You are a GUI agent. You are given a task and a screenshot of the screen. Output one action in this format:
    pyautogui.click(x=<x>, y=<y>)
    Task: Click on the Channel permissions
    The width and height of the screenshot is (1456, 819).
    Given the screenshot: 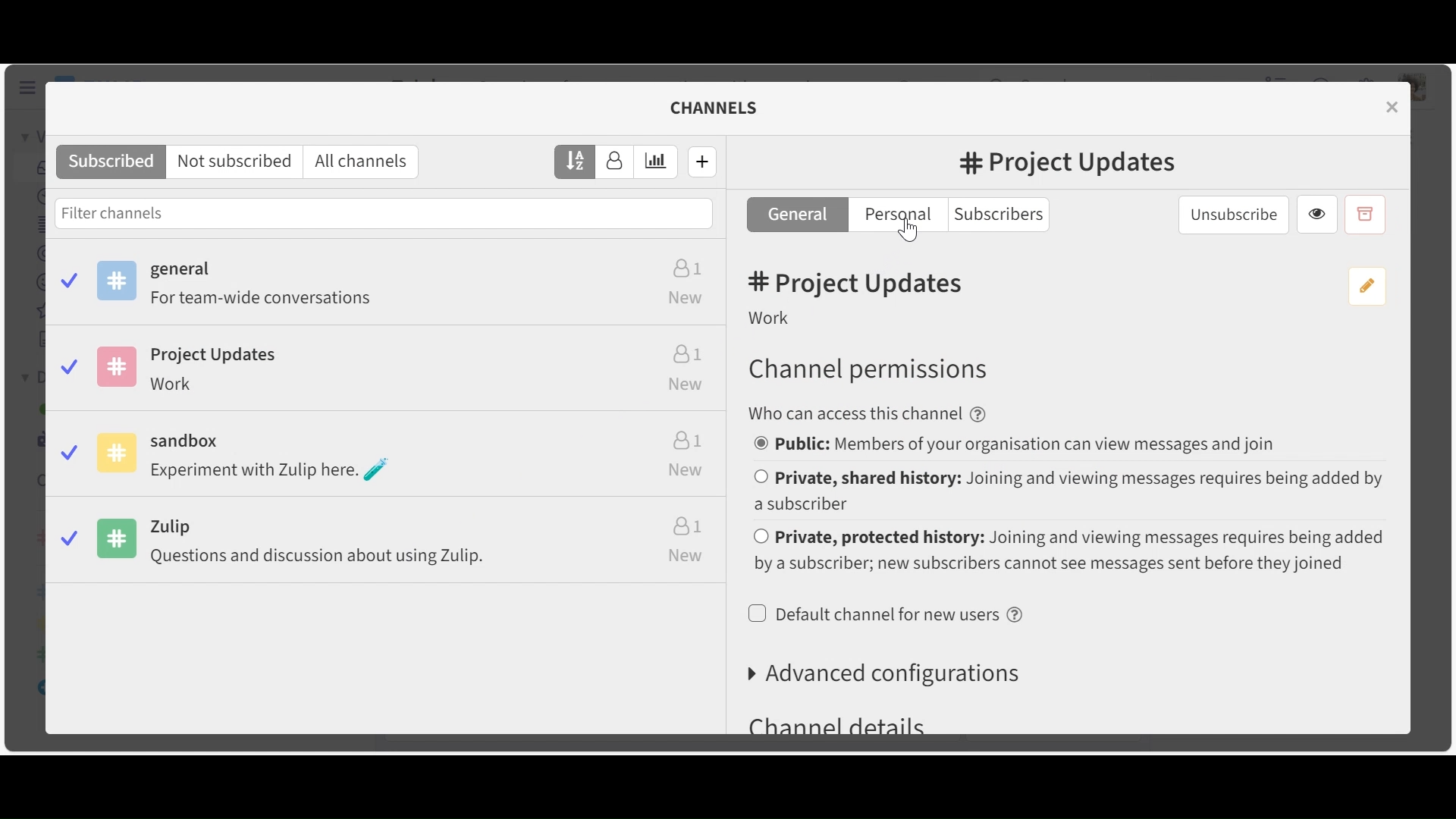 What is the action you would take?
    pyautogui.click(x=868, y=369)
    